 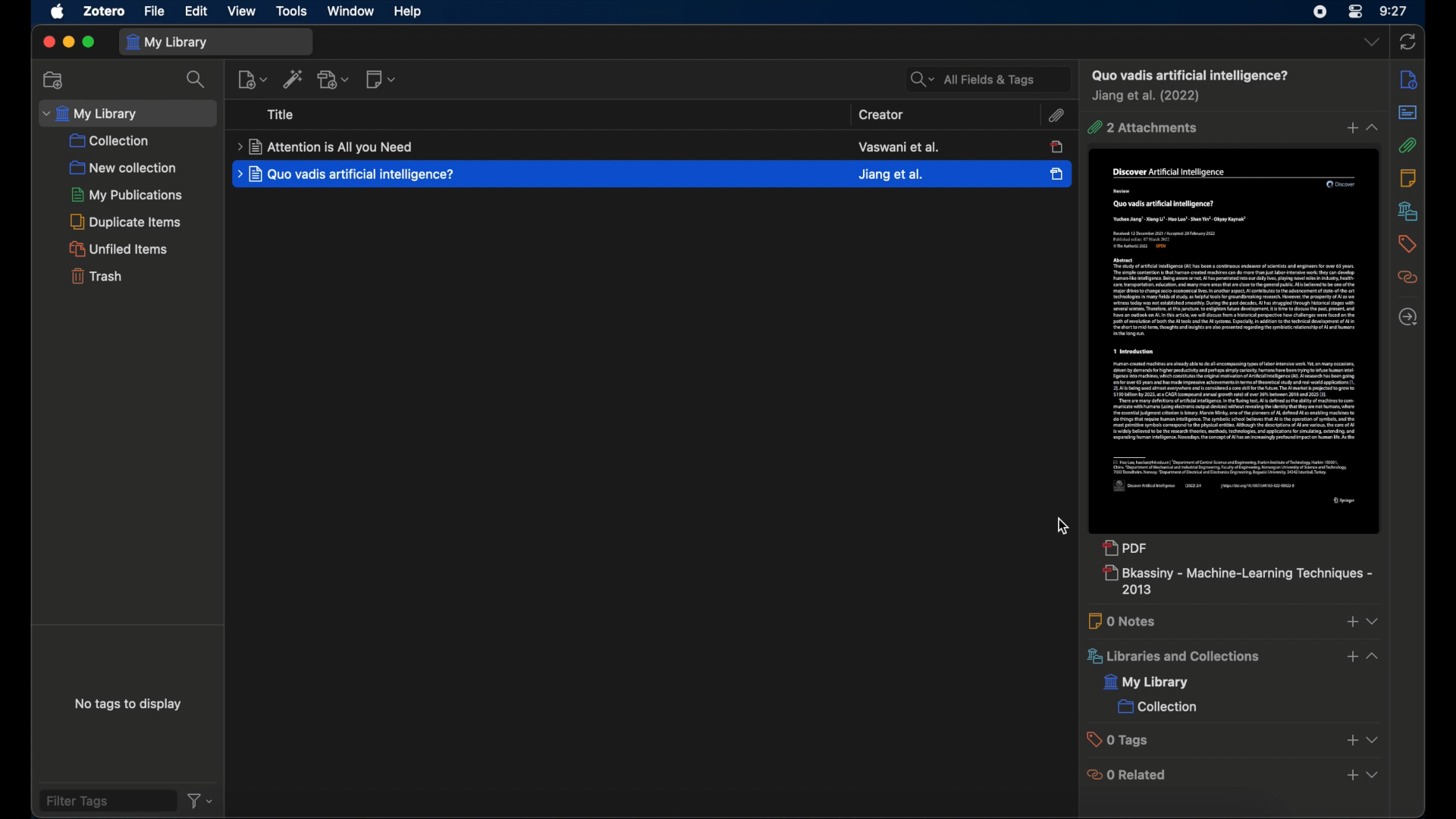 What do you see at coordinates (1374, 738) in the screenshot?
I see `dropdown menu` at bounding box center [1374, 738].